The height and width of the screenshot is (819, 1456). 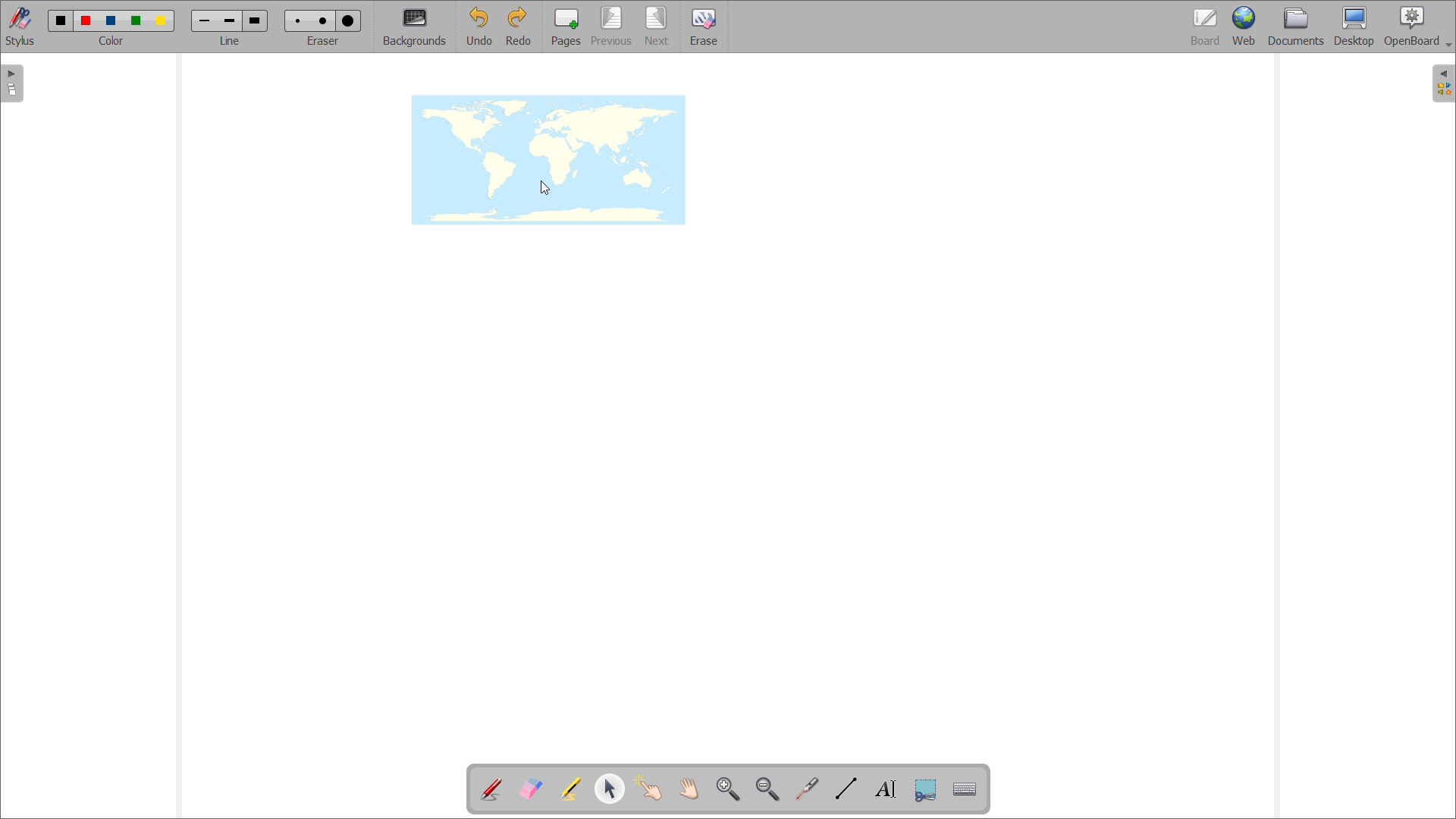 I want to click on line, so click(x=230, y=42).